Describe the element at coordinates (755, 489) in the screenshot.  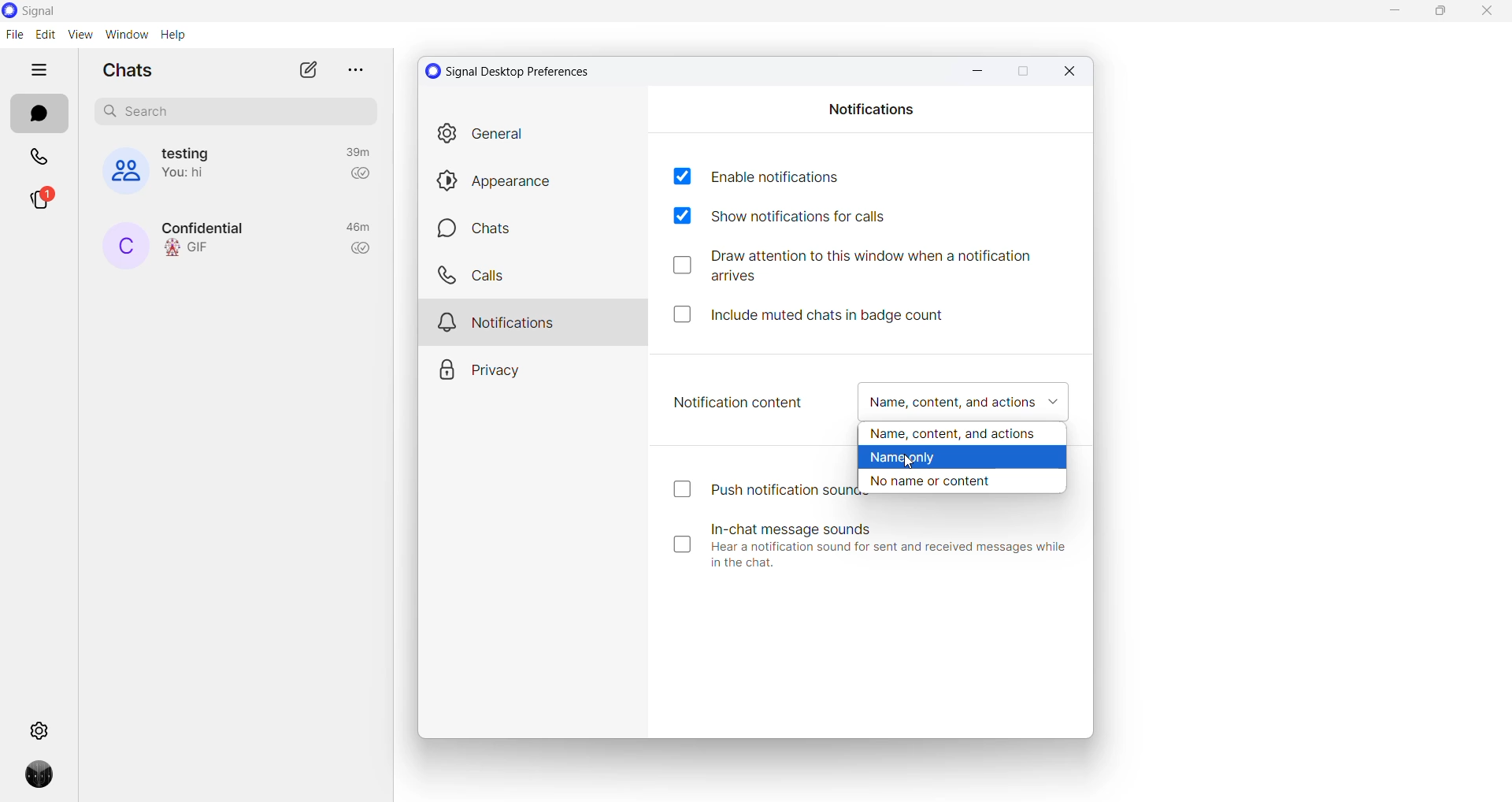
I see `push notification sounds` at that location.